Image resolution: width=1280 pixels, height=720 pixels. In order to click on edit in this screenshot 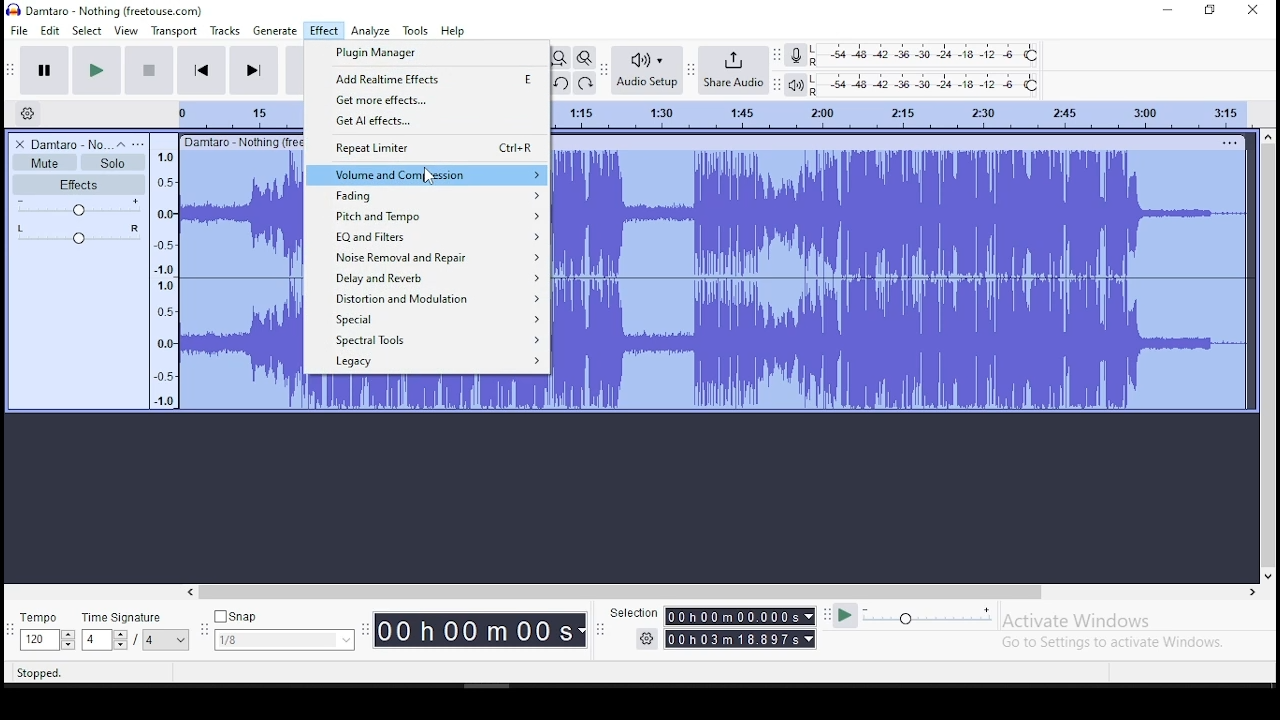, I will do `click(50, 30)`.